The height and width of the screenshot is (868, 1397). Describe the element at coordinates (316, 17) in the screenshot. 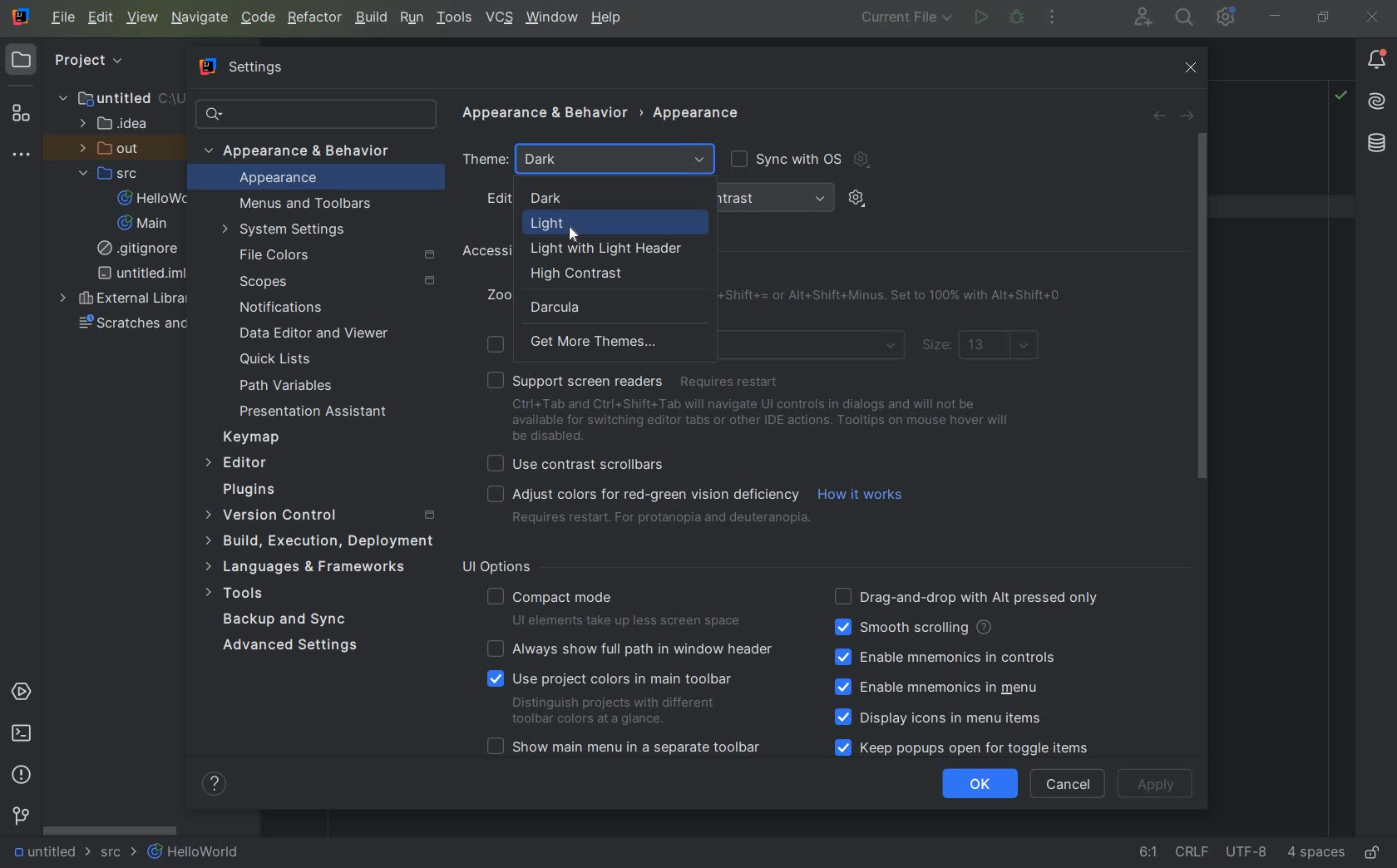

I see `REFACTOR` at that location.